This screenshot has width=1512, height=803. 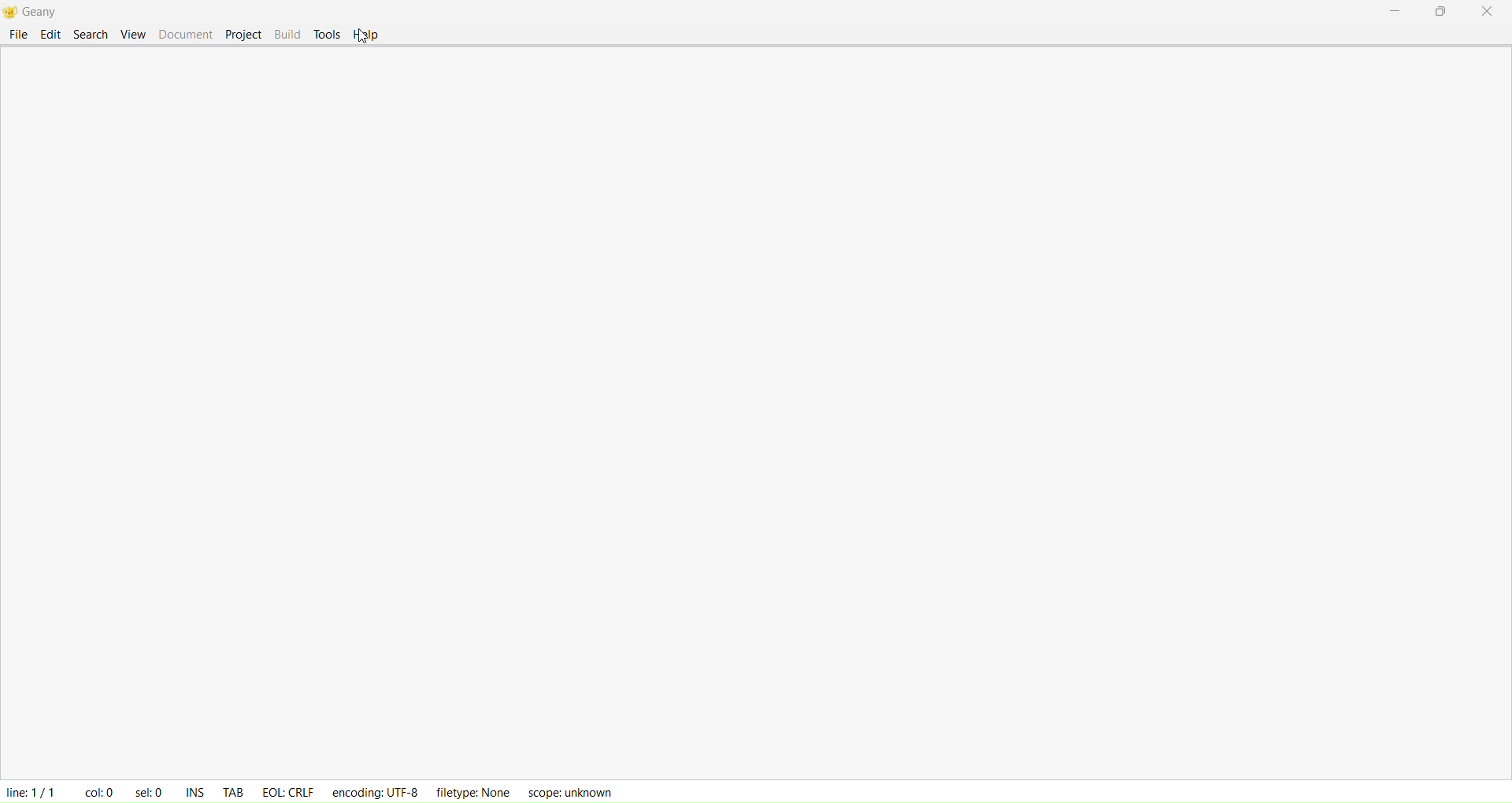 What do you see at coordinates (46, 11) in the screenshot?
I see `title` at bounding box center [46, 11].